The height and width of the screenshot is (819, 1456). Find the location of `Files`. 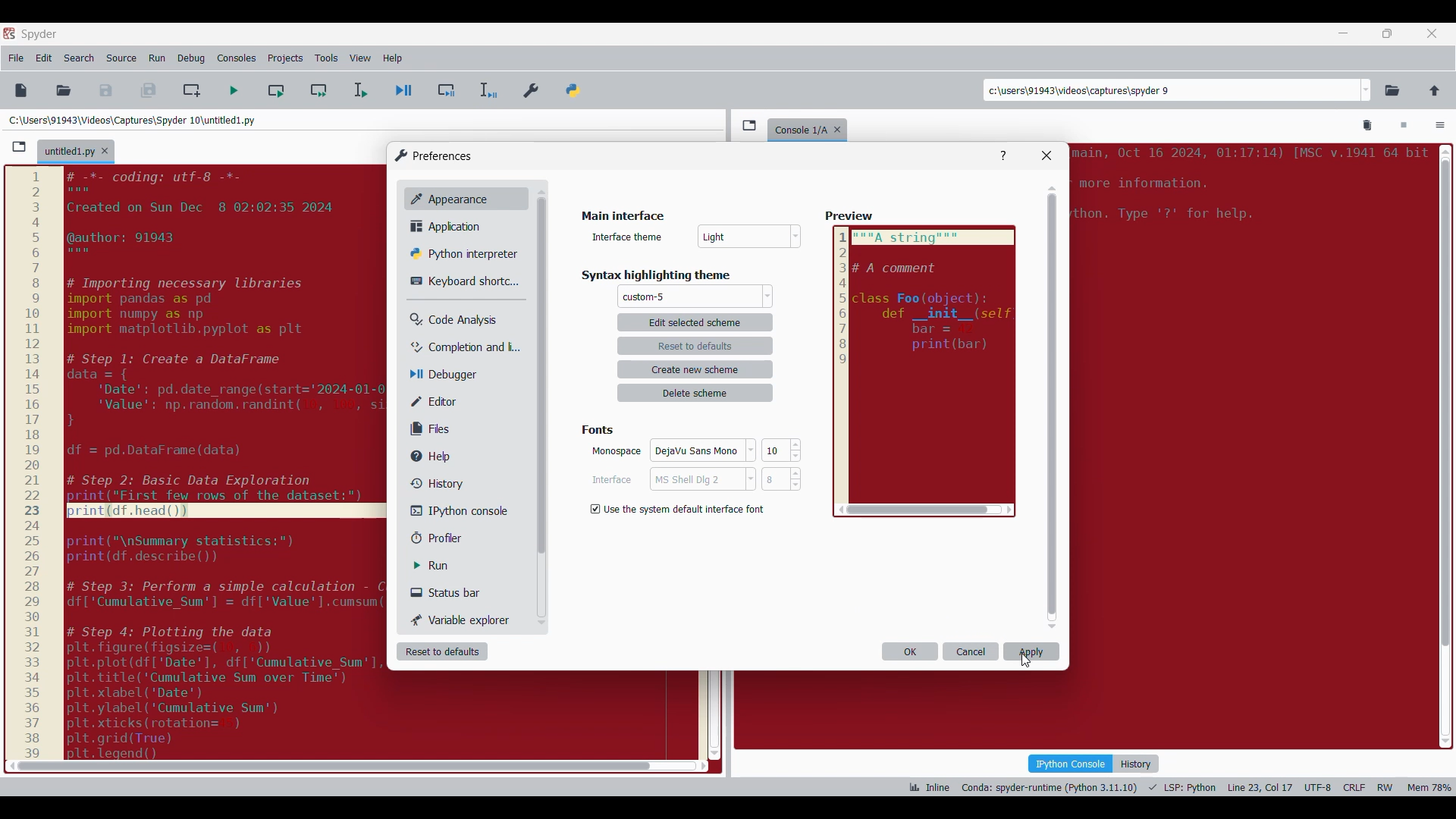

Files is located at coordinates (434, 428).